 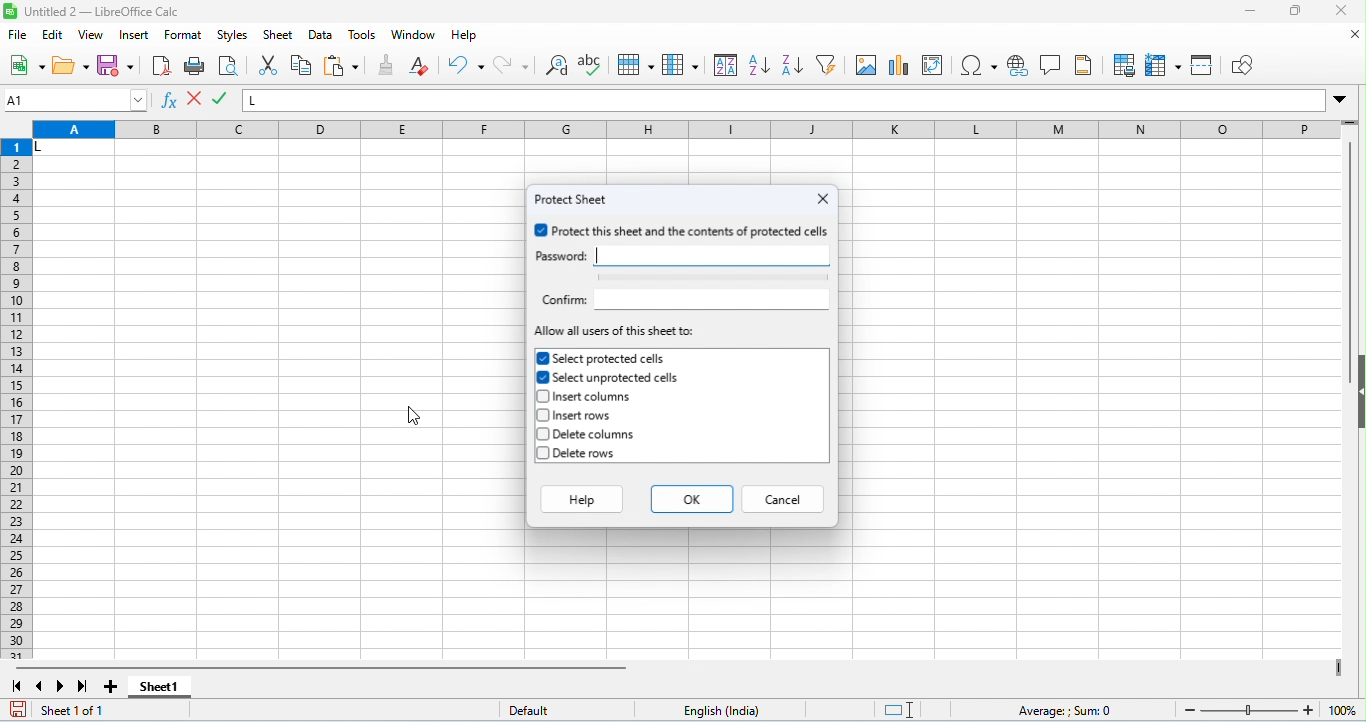 I want to click on sort ascending, so click(x=759, y=65).